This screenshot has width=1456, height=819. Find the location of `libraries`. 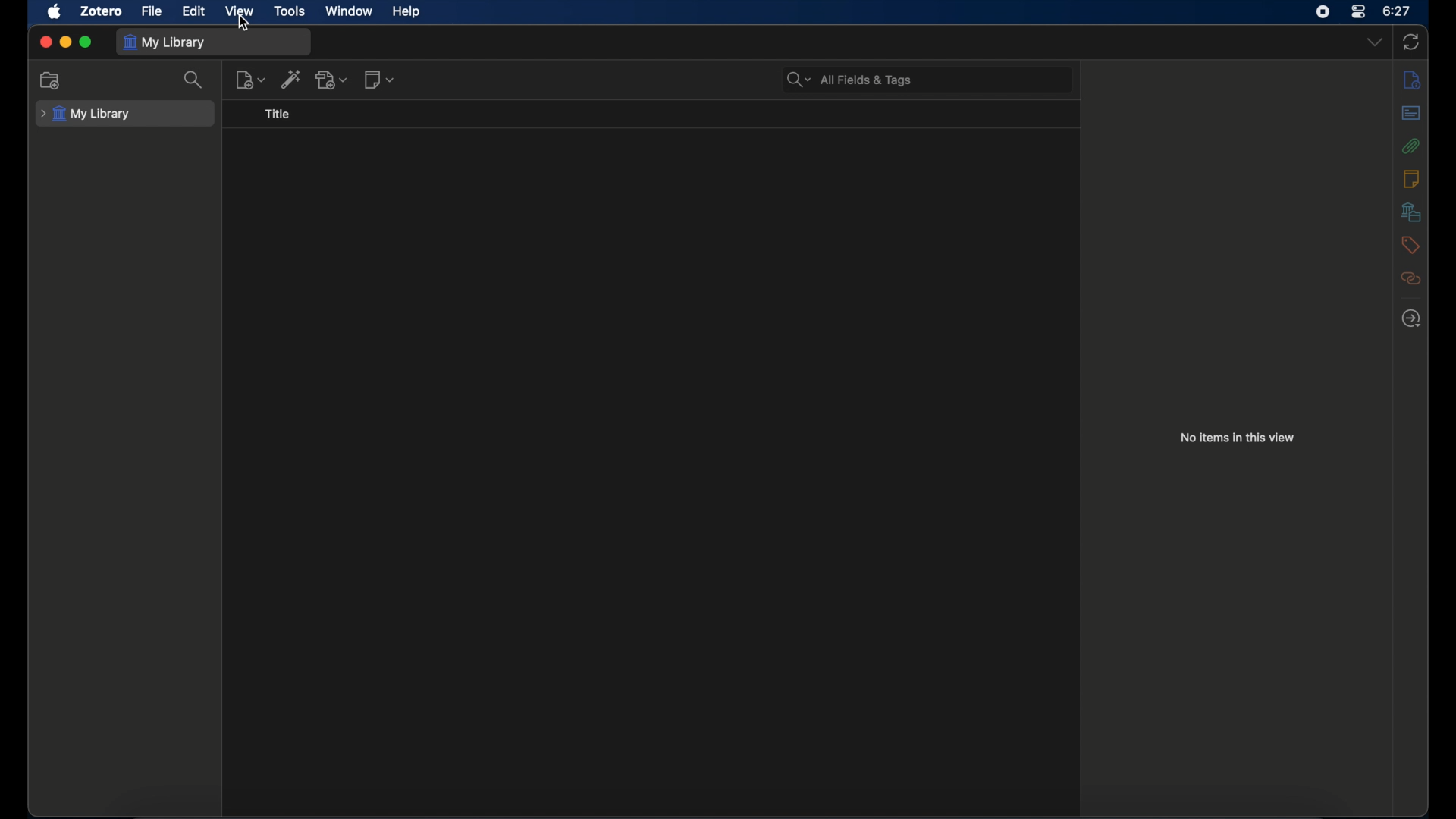

libraries is located at coordinates (1410, 212).